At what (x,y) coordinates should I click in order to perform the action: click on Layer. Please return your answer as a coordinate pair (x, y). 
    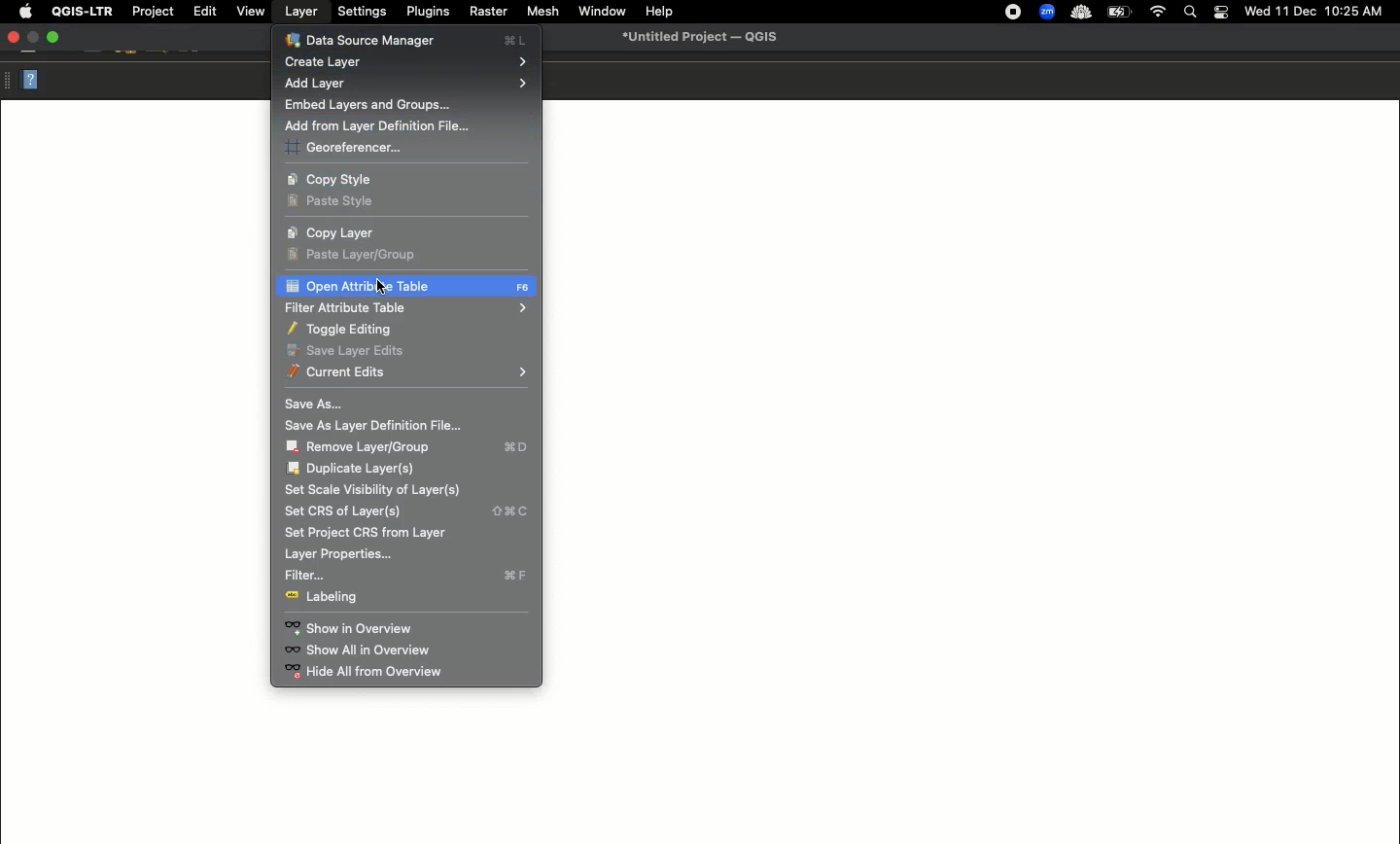
    Looking at the image, I should click on (301, 12).